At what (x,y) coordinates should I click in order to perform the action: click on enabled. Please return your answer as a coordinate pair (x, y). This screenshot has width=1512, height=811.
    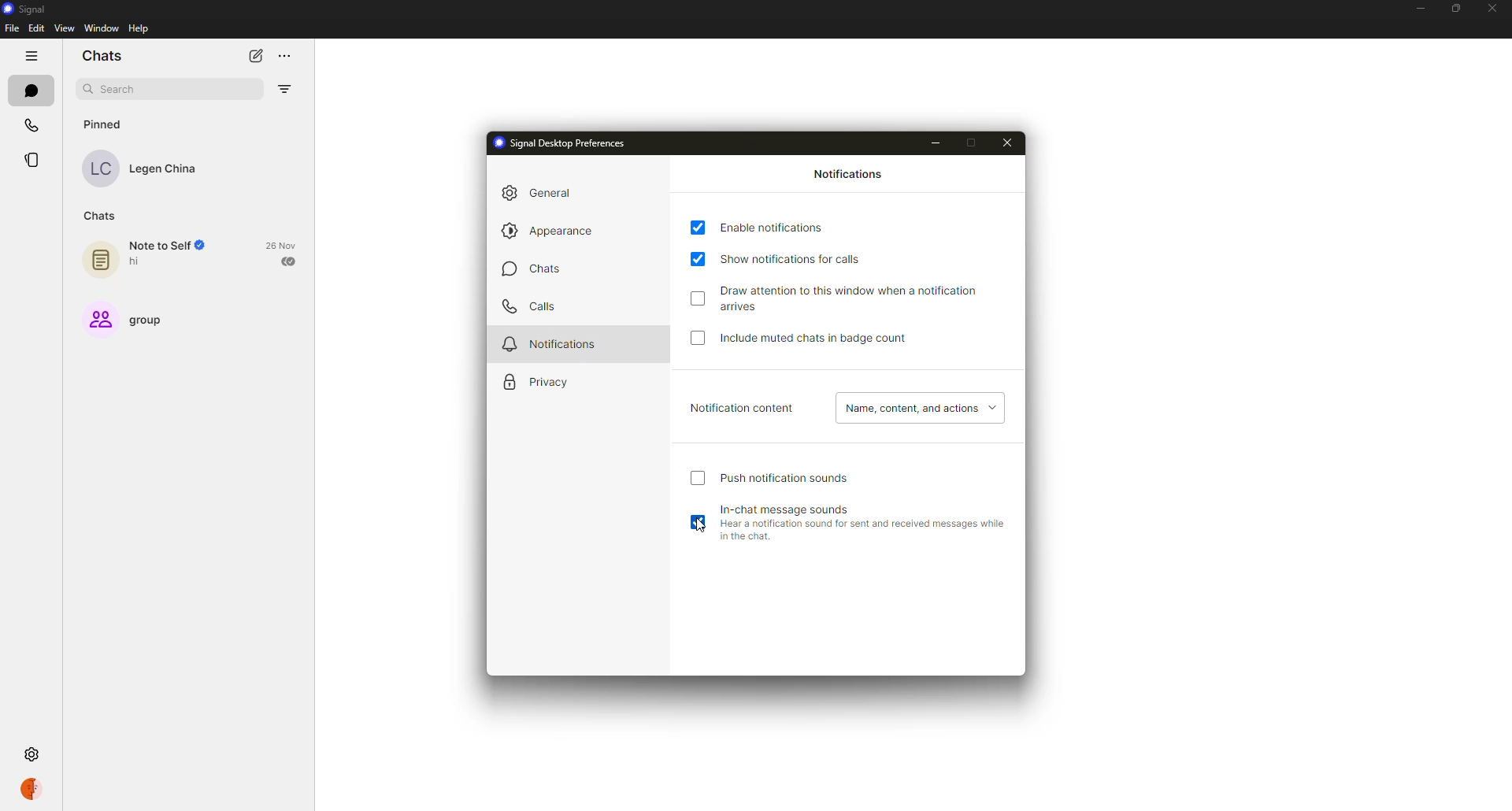
    Looking at the image, I should click on (695, 524).